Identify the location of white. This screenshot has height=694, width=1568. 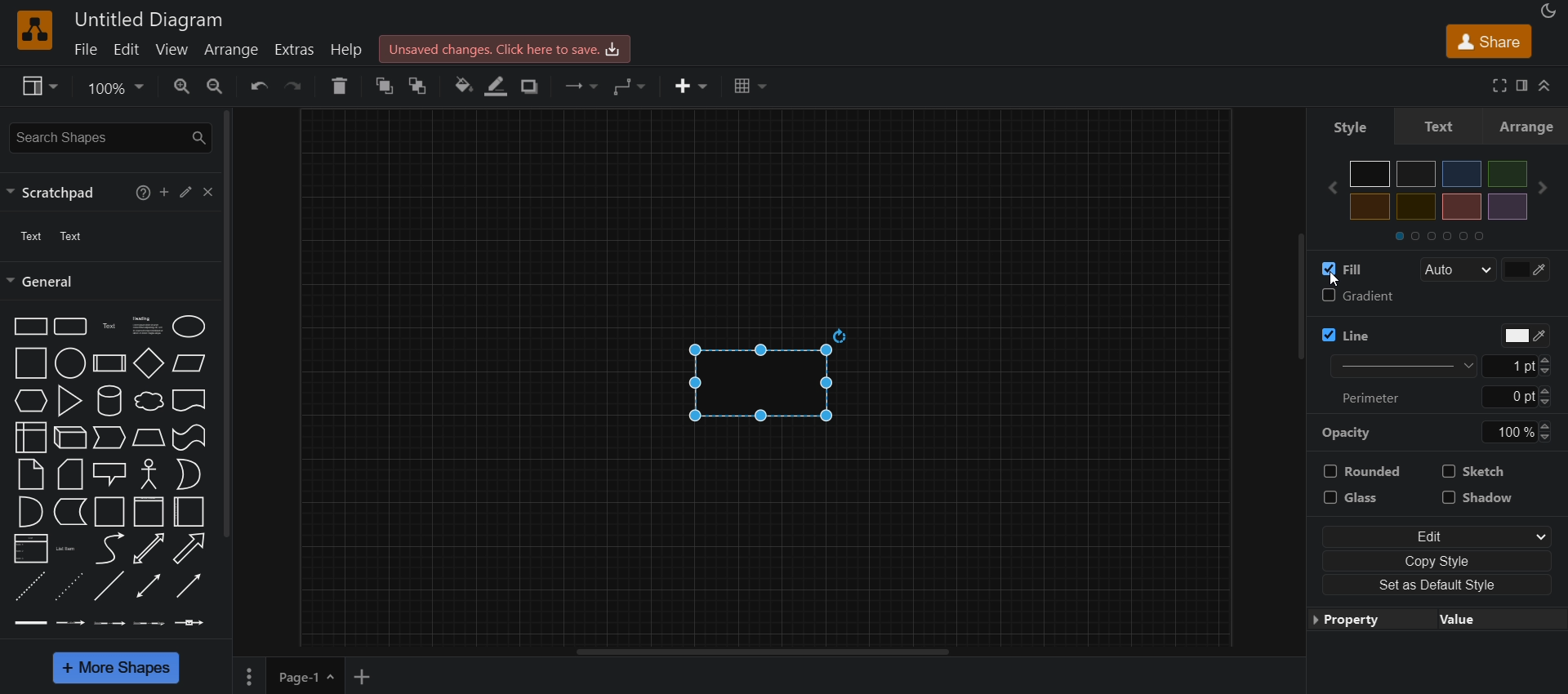
(1370, 173).